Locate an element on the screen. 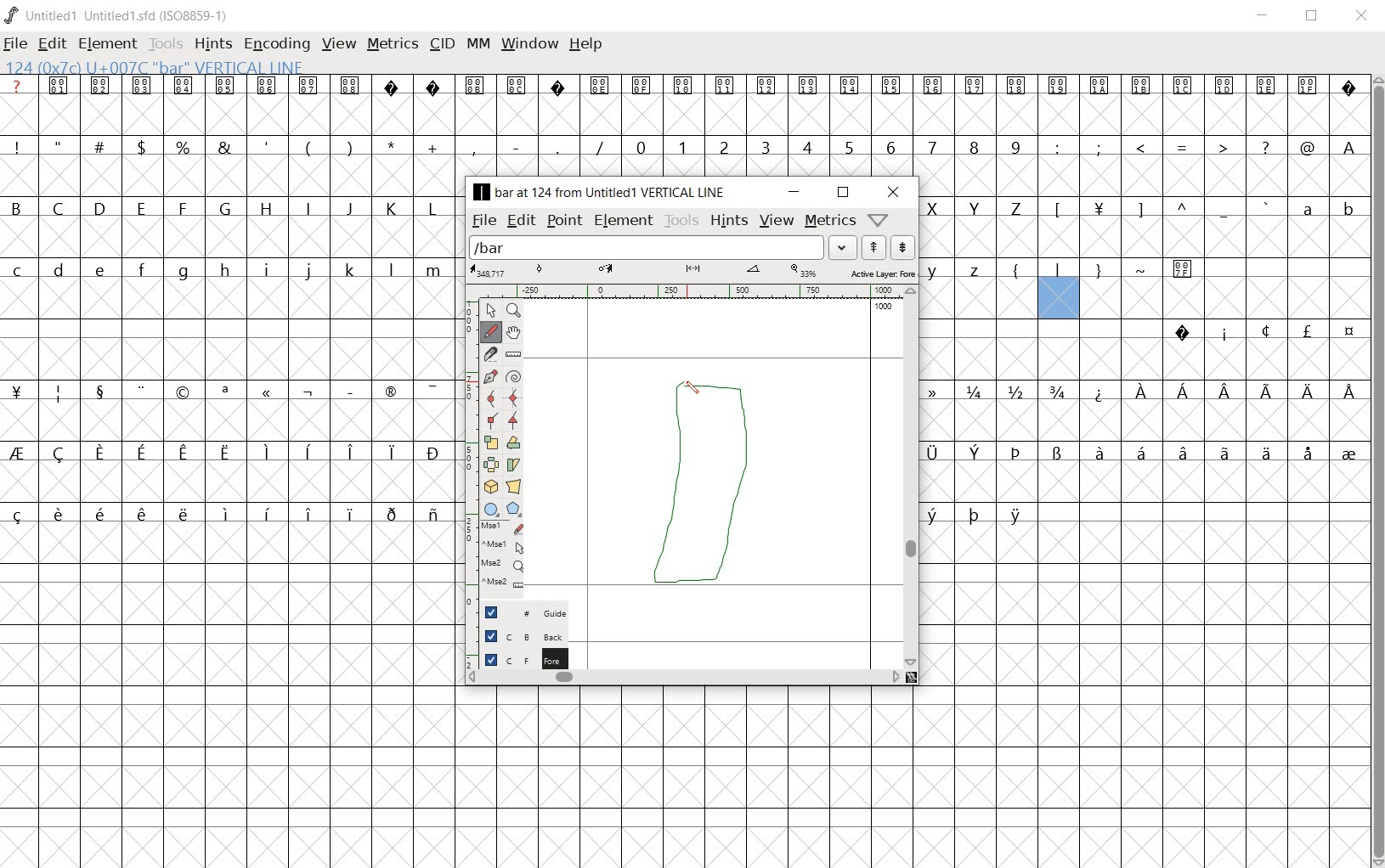  hints is located at coordinates (213, 44).